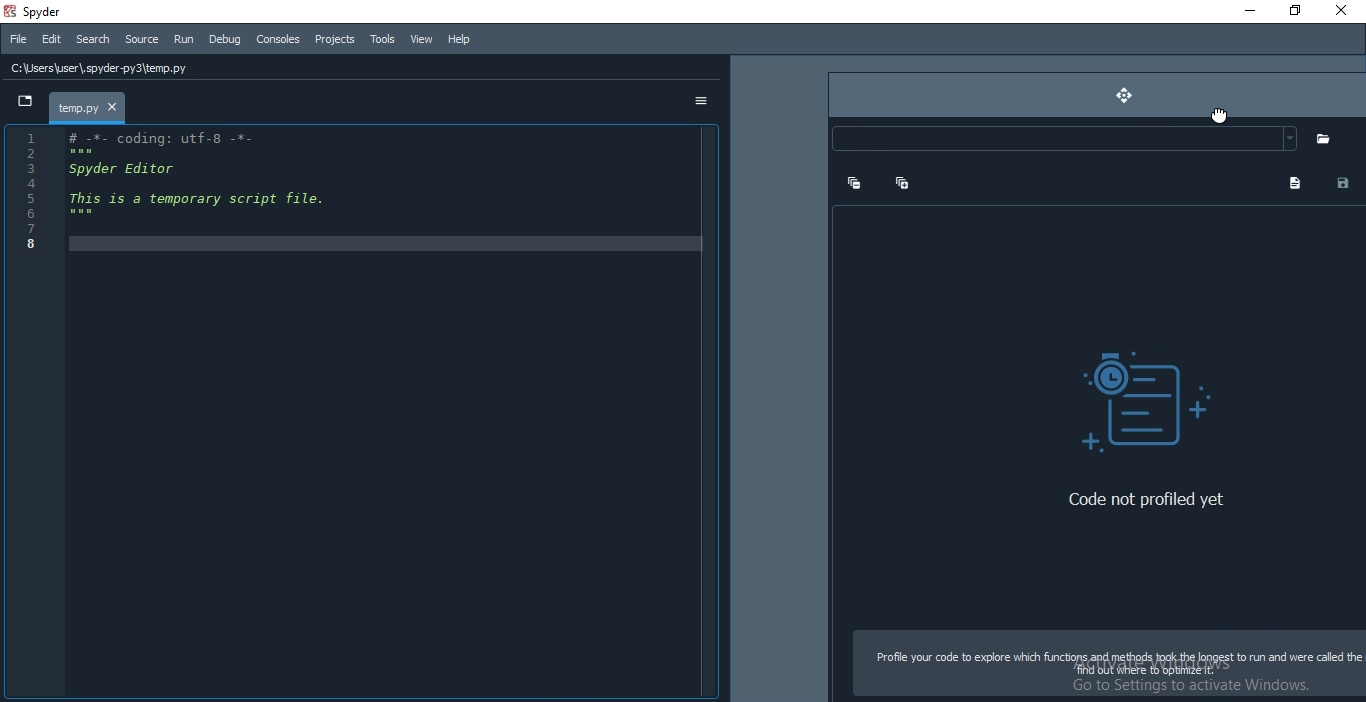 The width and height of the screenshot is (1366, 702). What do you see at coordinates (333, 40) in the screenshot?
I see `Projects` at bounding box center [333, 40].